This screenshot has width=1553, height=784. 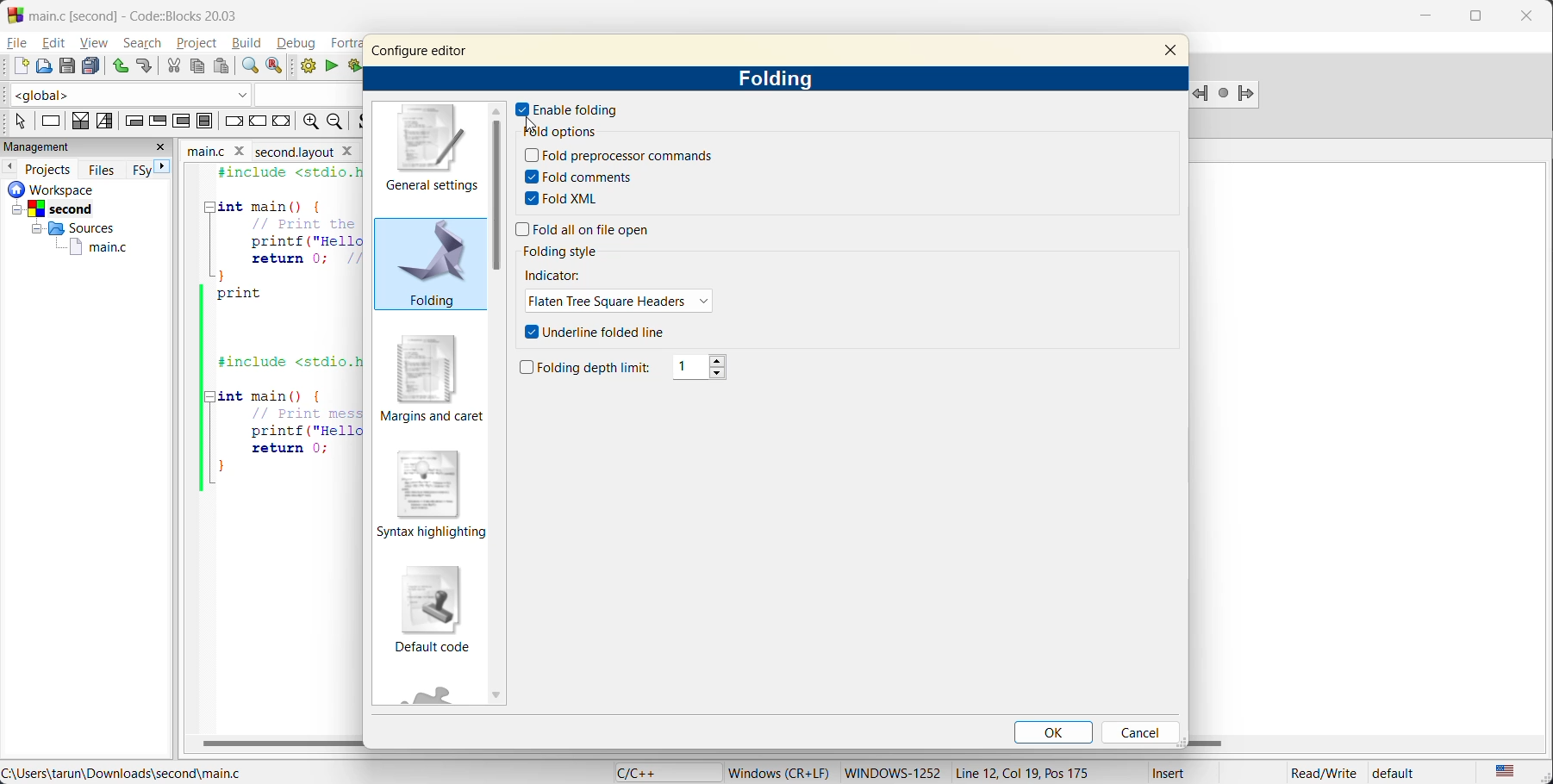 What do you see at coordinates (283, 744) in the screenshot?
I see `horizontal scroll bar` at bounding box center [283, 744].